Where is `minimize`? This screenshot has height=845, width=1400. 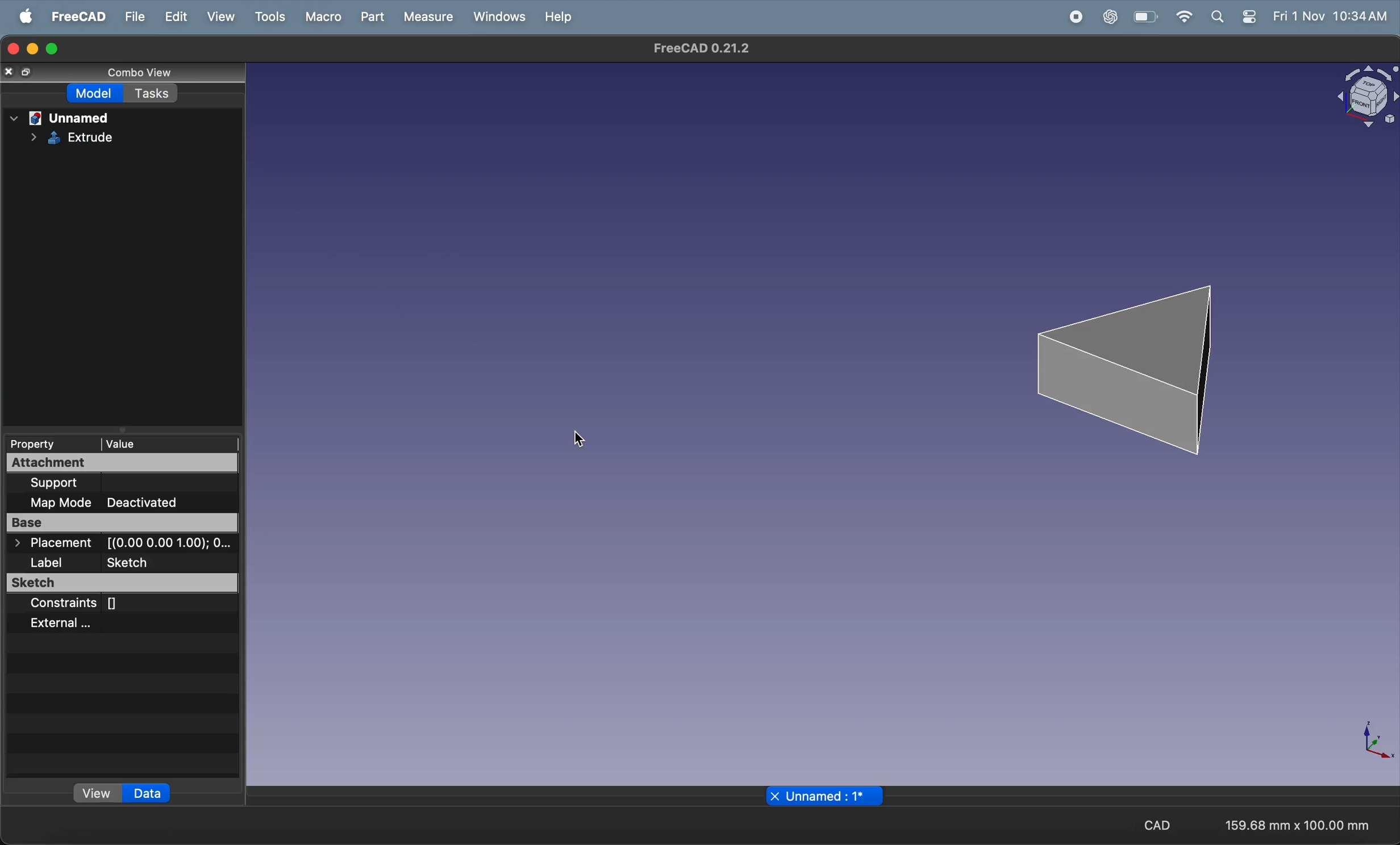
minimize is located at coordinates (32, 49).